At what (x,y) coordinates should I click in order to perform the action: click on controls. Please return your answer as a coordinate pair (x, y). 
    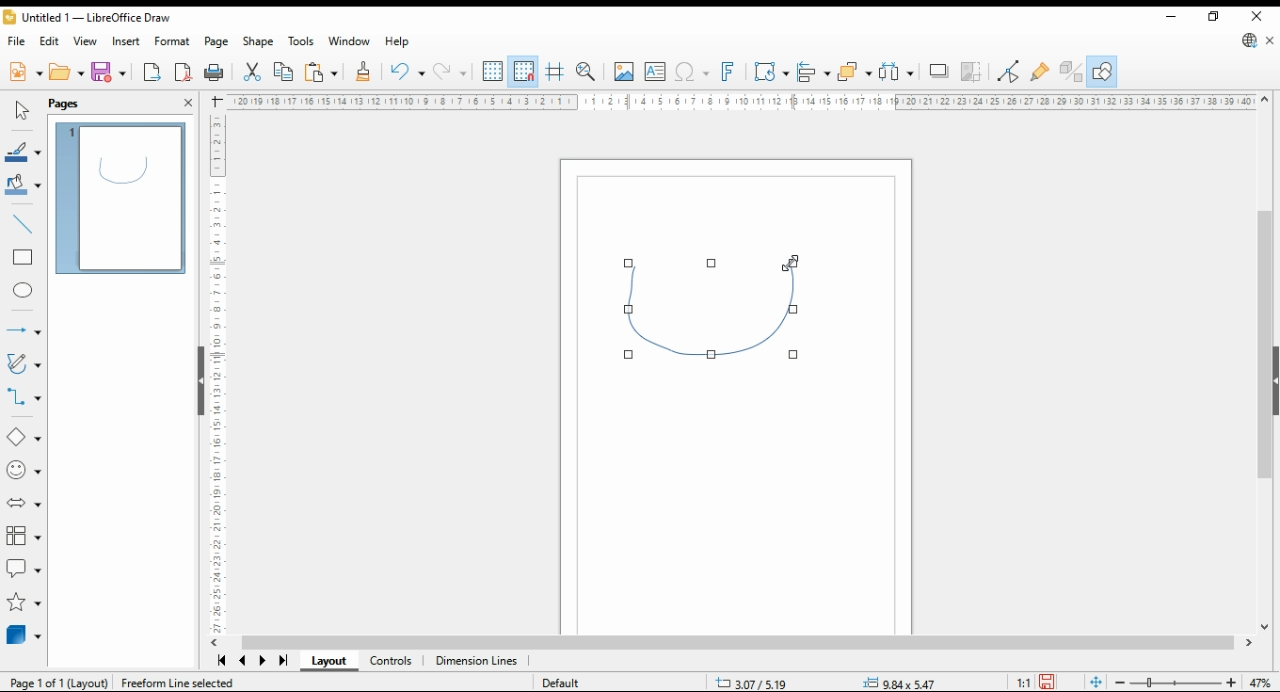
    Looking at the image, I should click on (394, 661).